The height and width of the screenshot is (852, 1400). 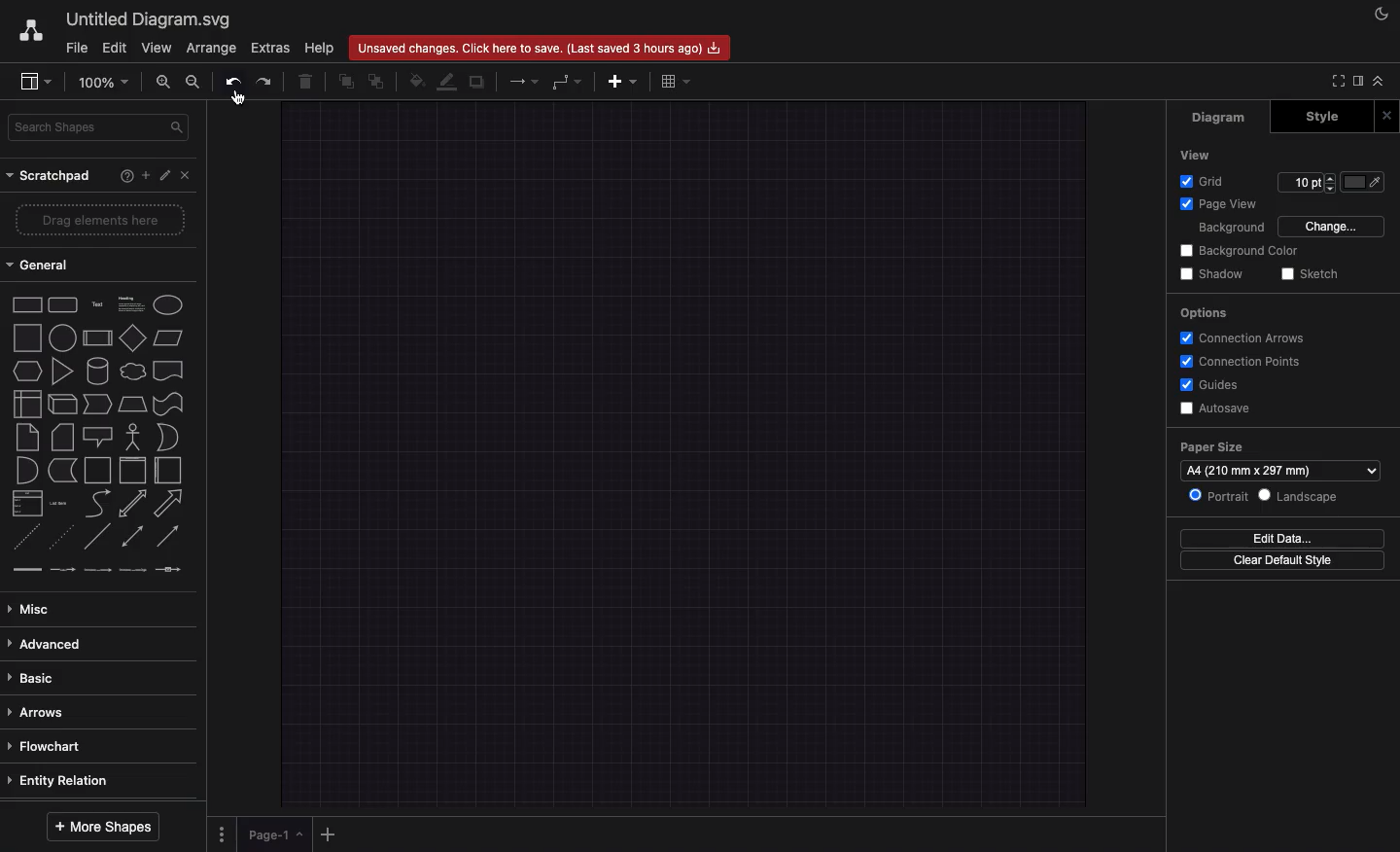 I want to click on Page view, so click(x=1219, y=204).